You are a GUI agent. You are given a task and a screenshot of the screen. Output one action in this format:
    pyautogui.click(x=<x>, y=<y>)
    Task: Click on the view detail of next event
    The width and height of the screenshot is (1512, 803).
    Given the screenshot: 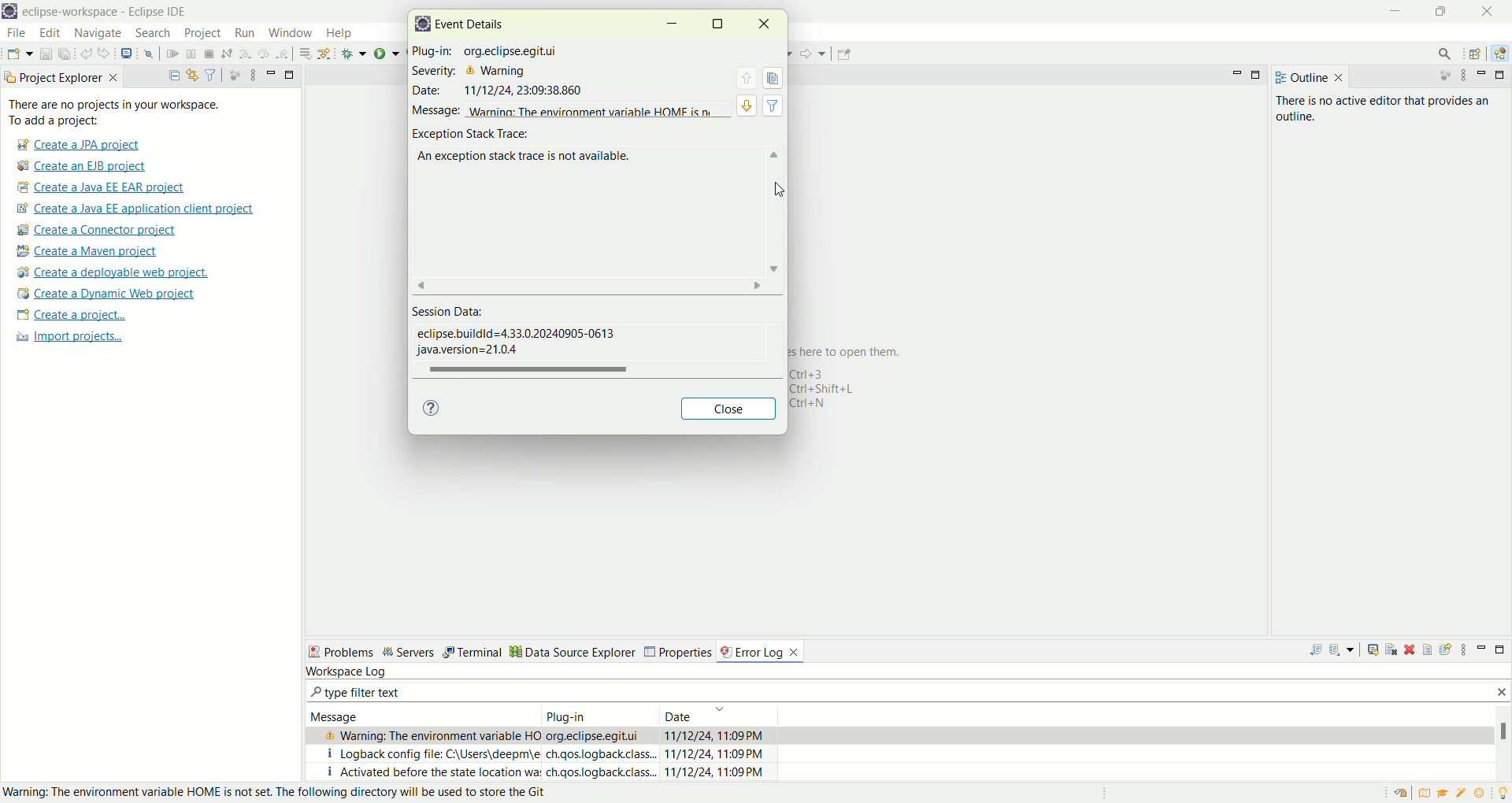 What is the action you would take?
    pyautogui.click(x=745, y=108)
    